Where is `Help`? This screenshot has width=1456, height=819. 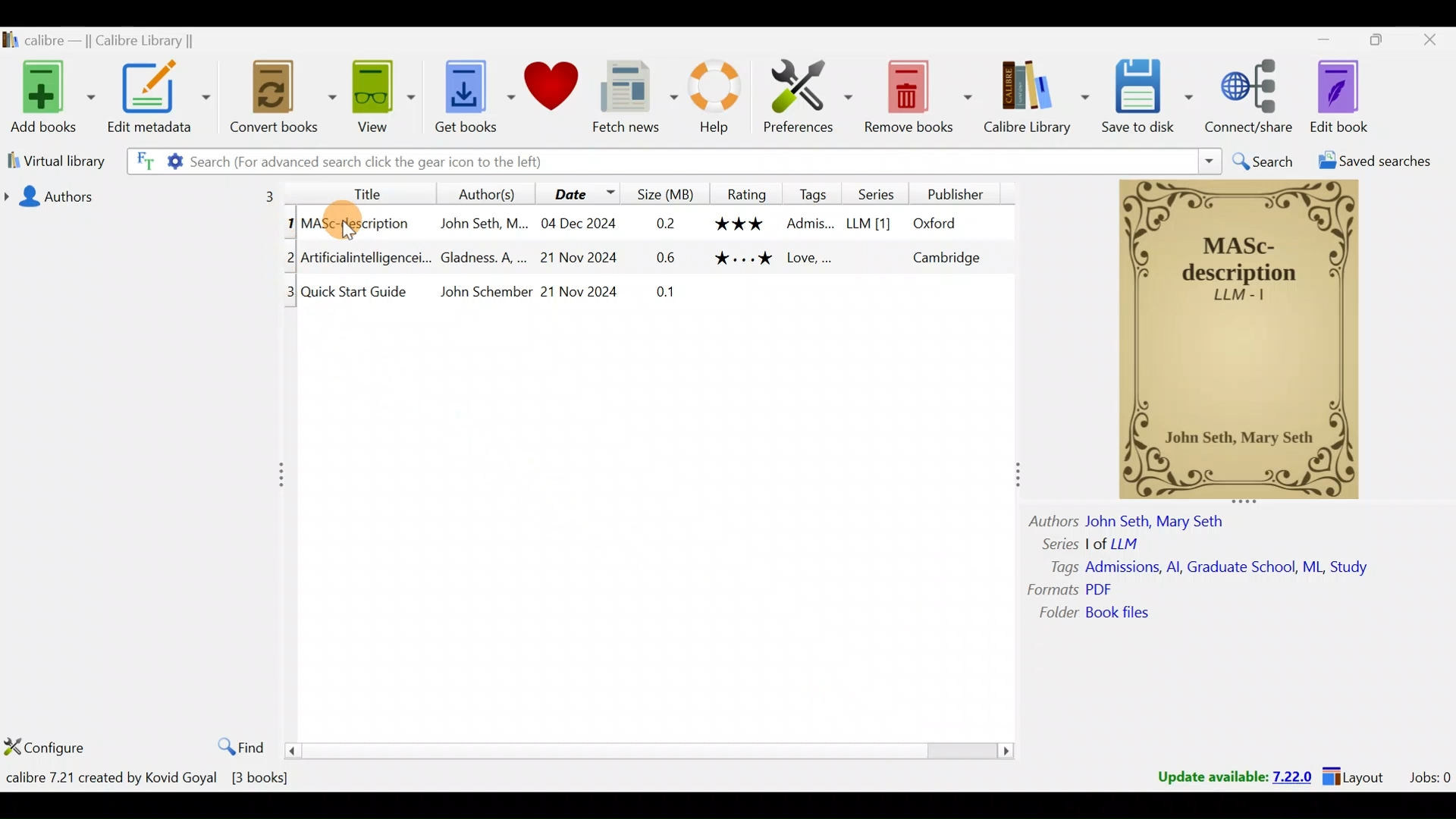
Help is located at coordinates (721, 102).